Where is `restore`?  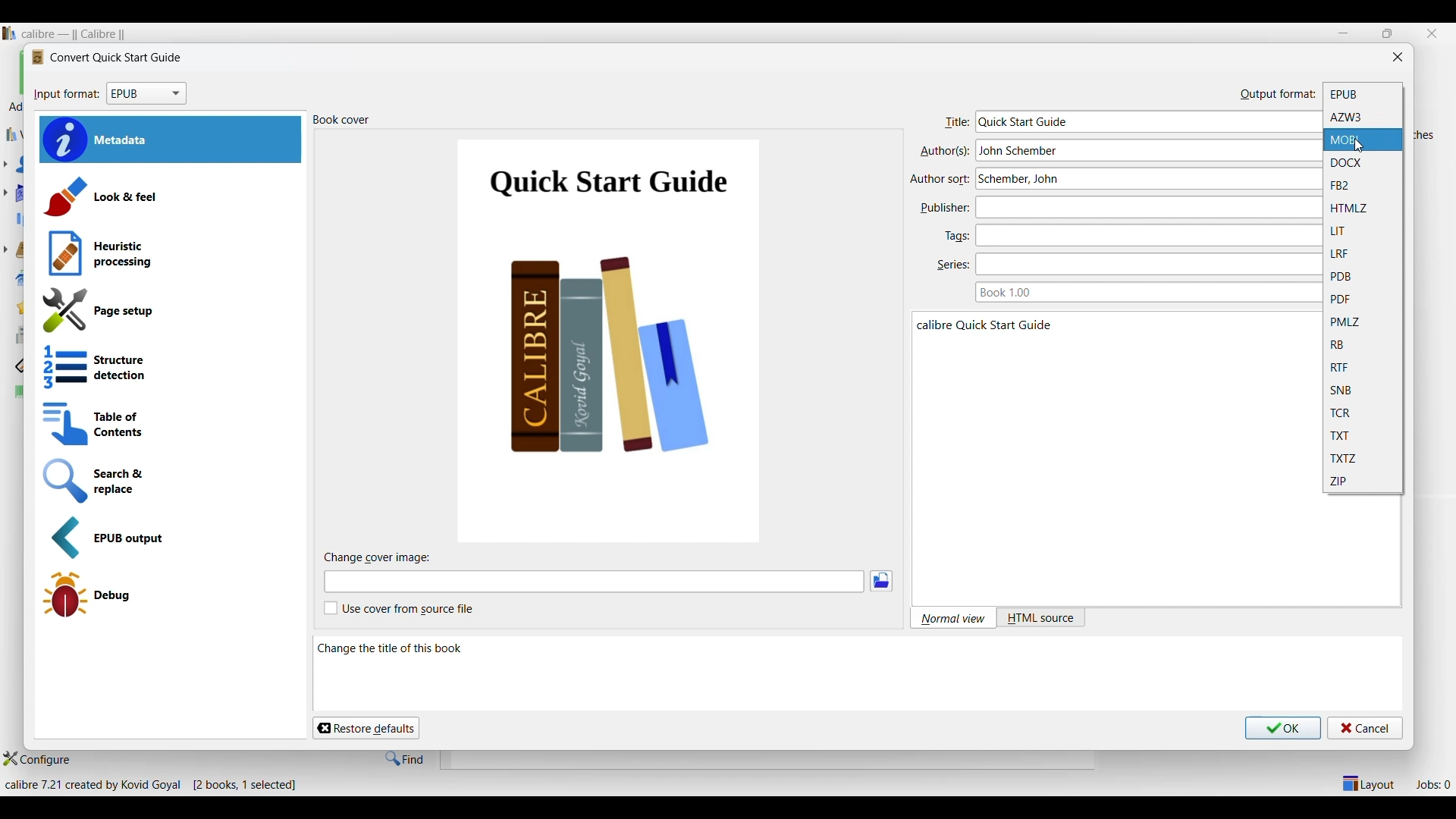
restore is located at coordinates (1386, 33).